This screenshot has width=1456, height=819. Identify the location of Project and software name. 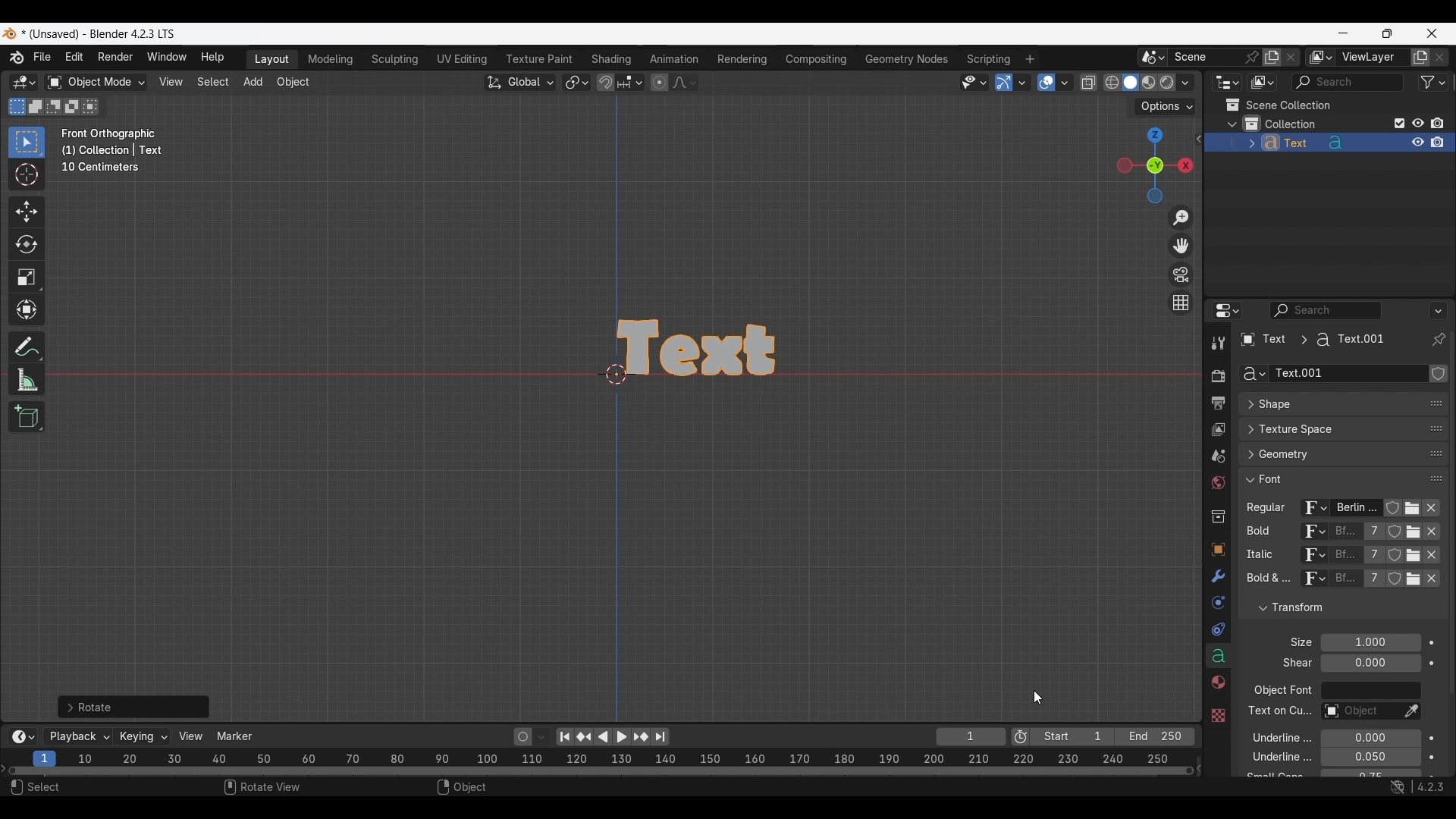
(99, 34).